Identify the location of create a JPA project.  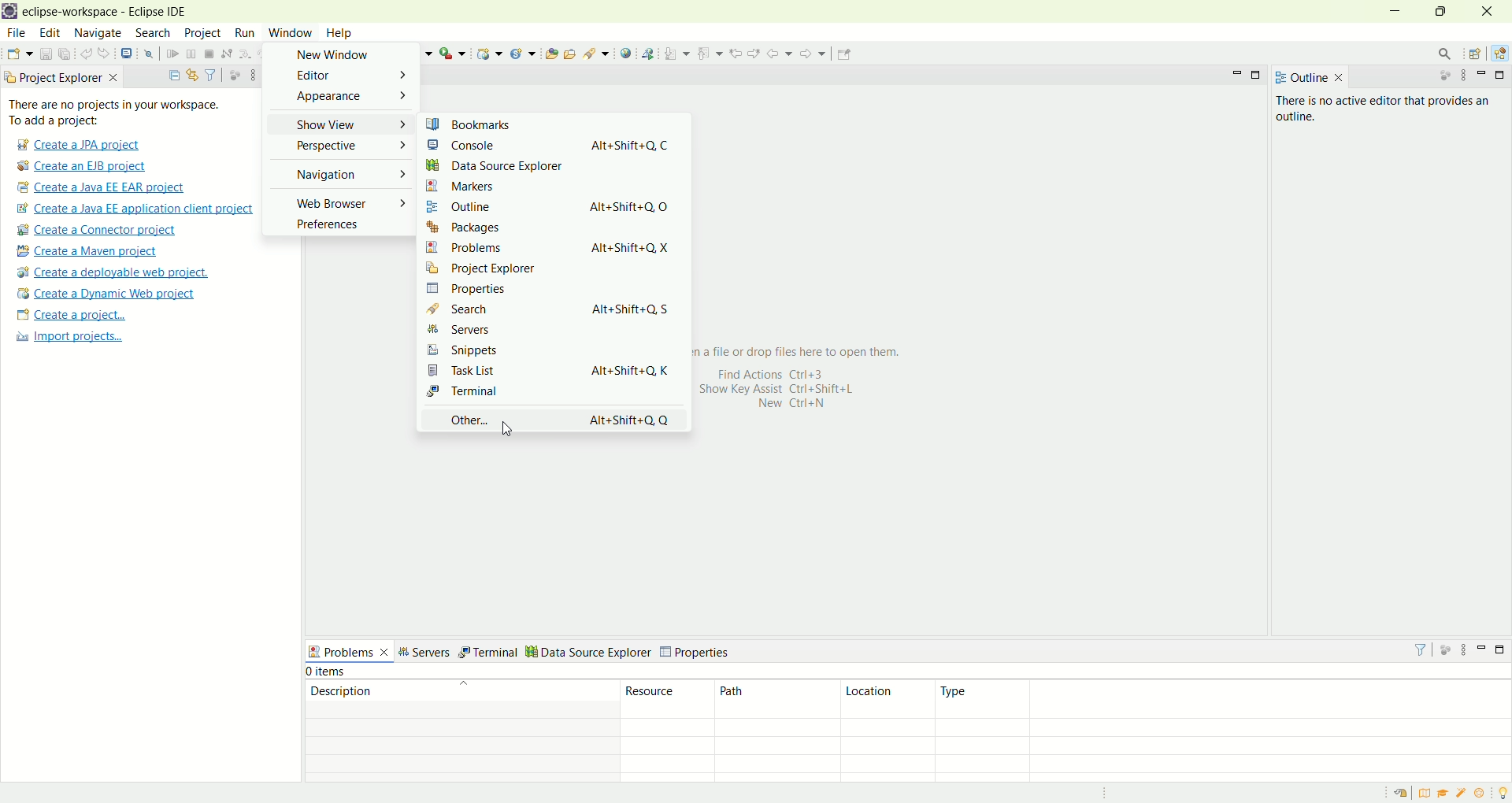
(76, 146).